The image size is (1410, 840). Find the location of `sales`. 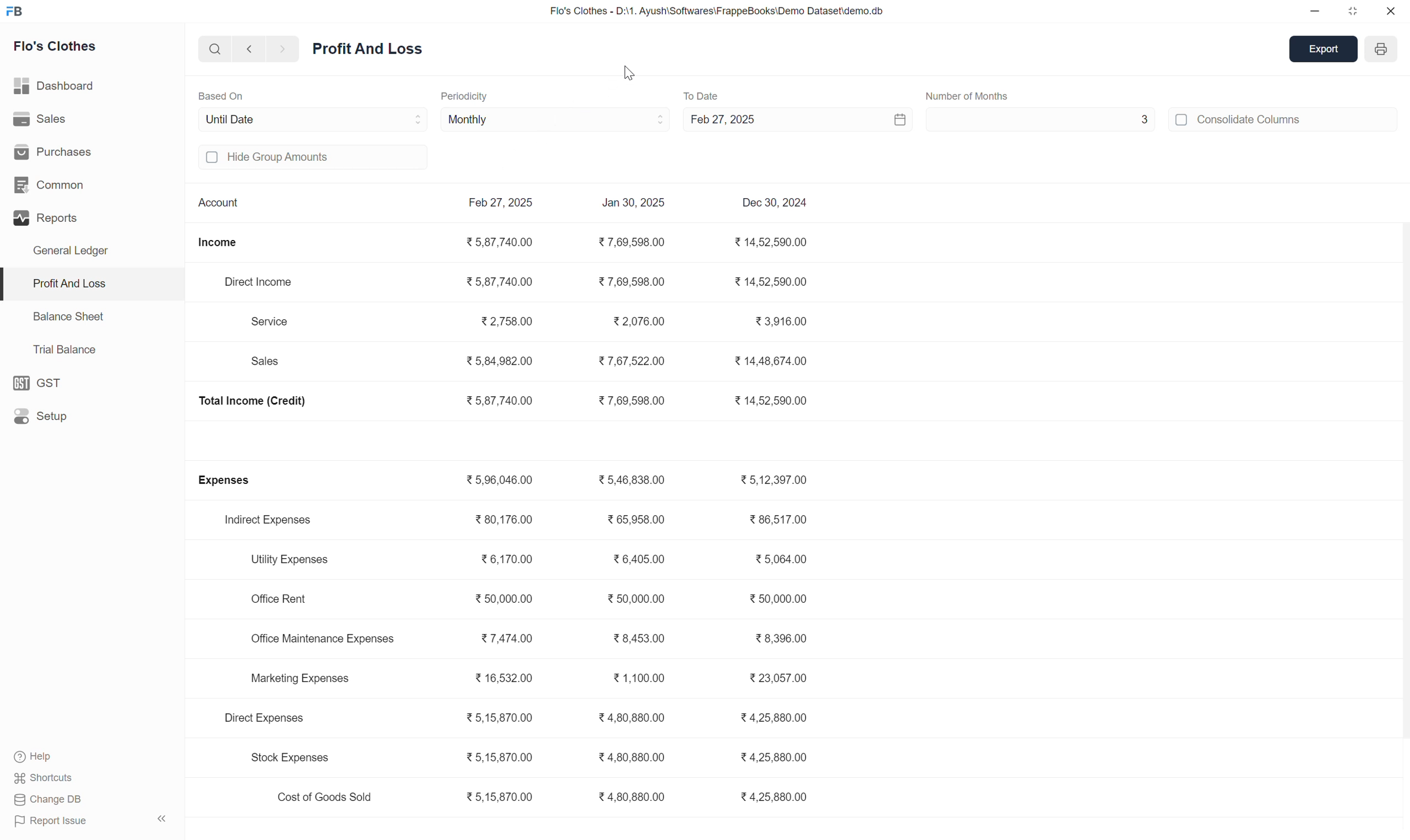

sales is located at coordinates (38, 118).